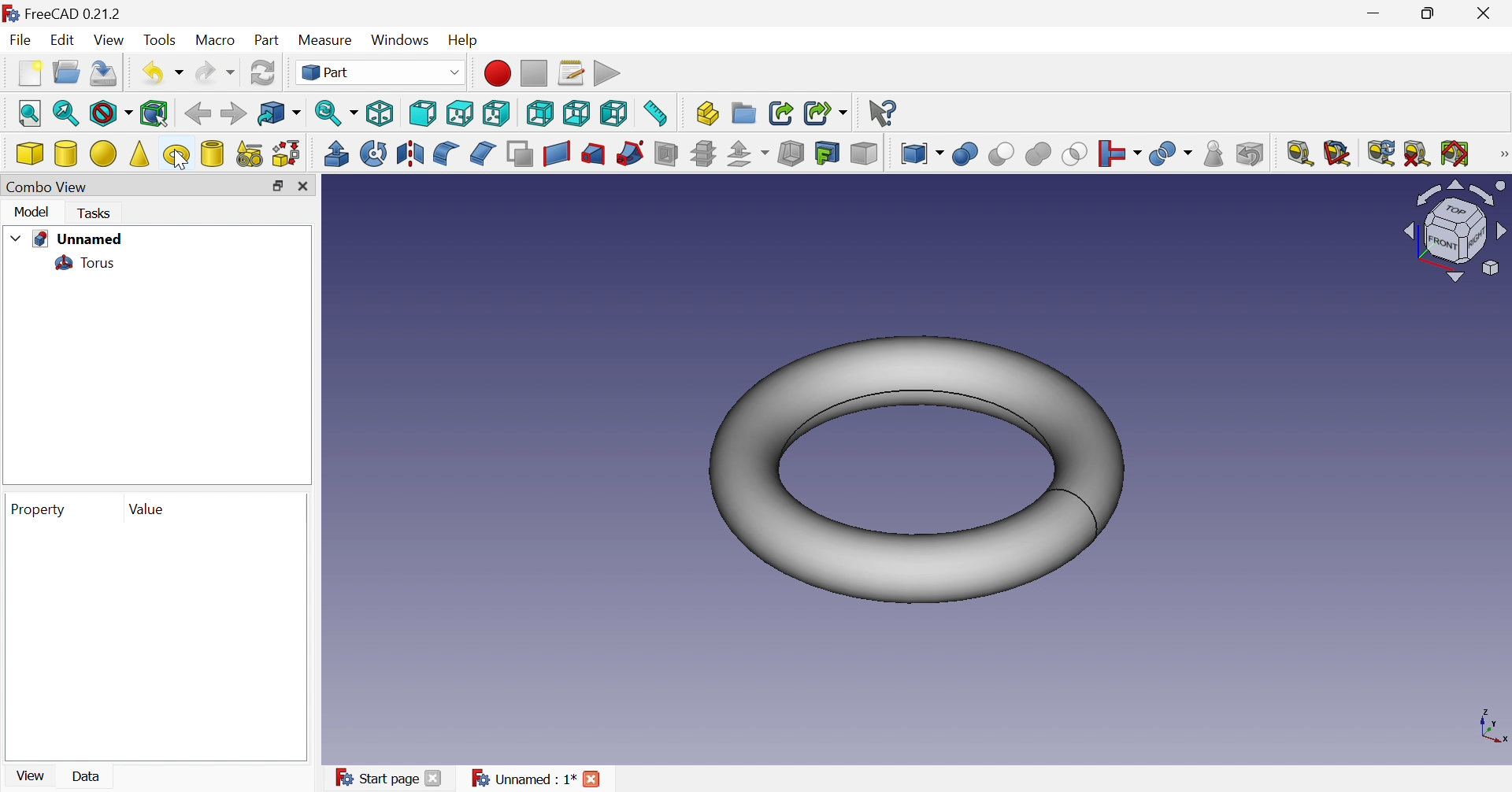 This screenshot has height=792, width=1512. I want to click on Draw style, so click(113, 116).